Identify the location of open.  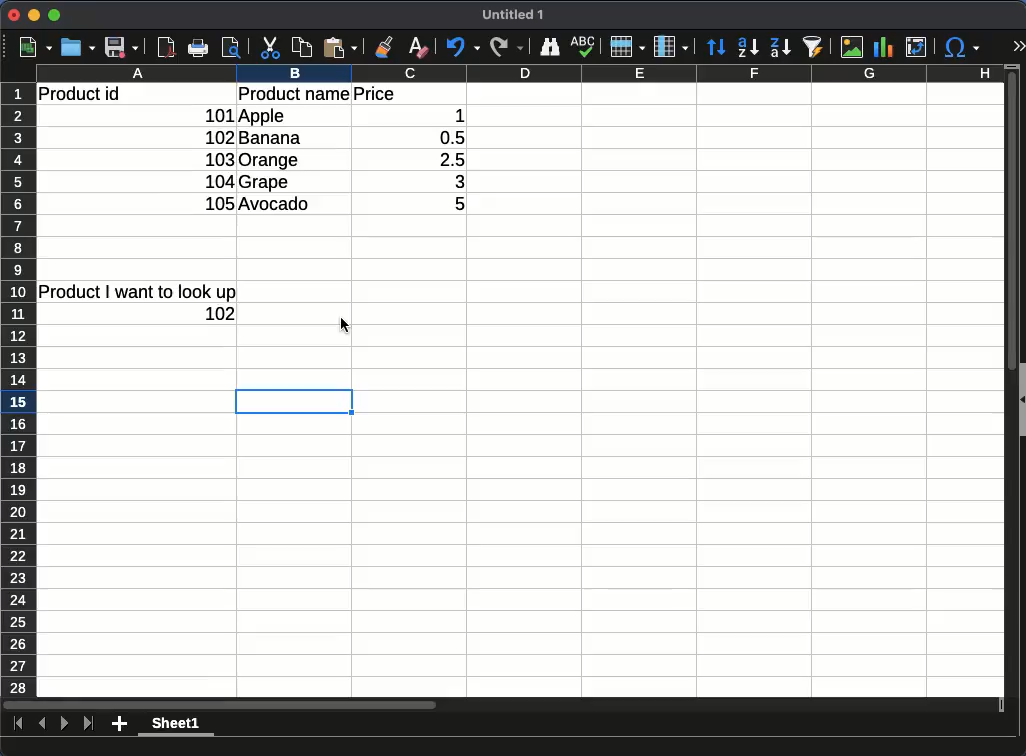
(78, 47).